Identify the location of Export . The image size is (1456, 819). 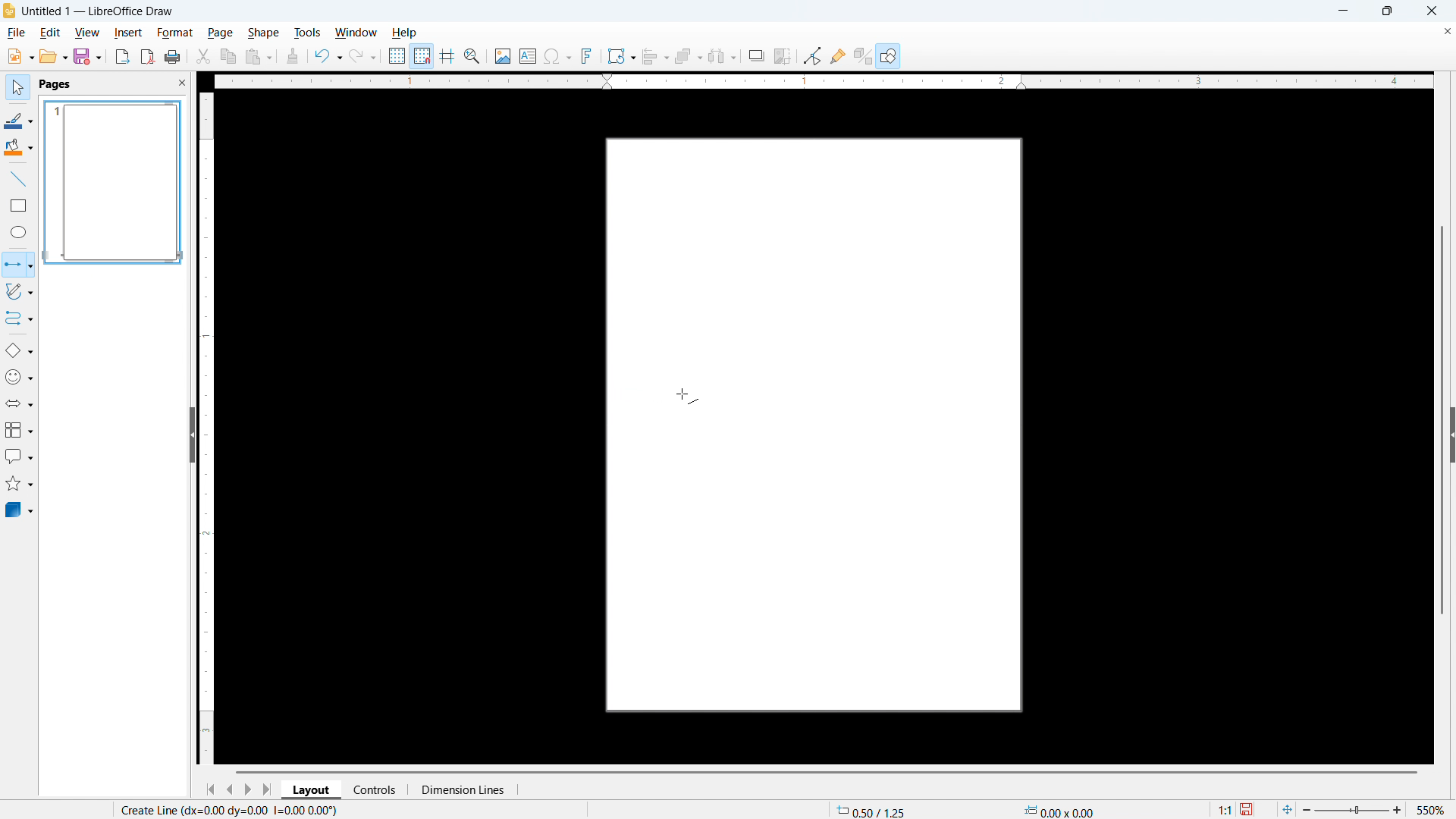
(123, 57).